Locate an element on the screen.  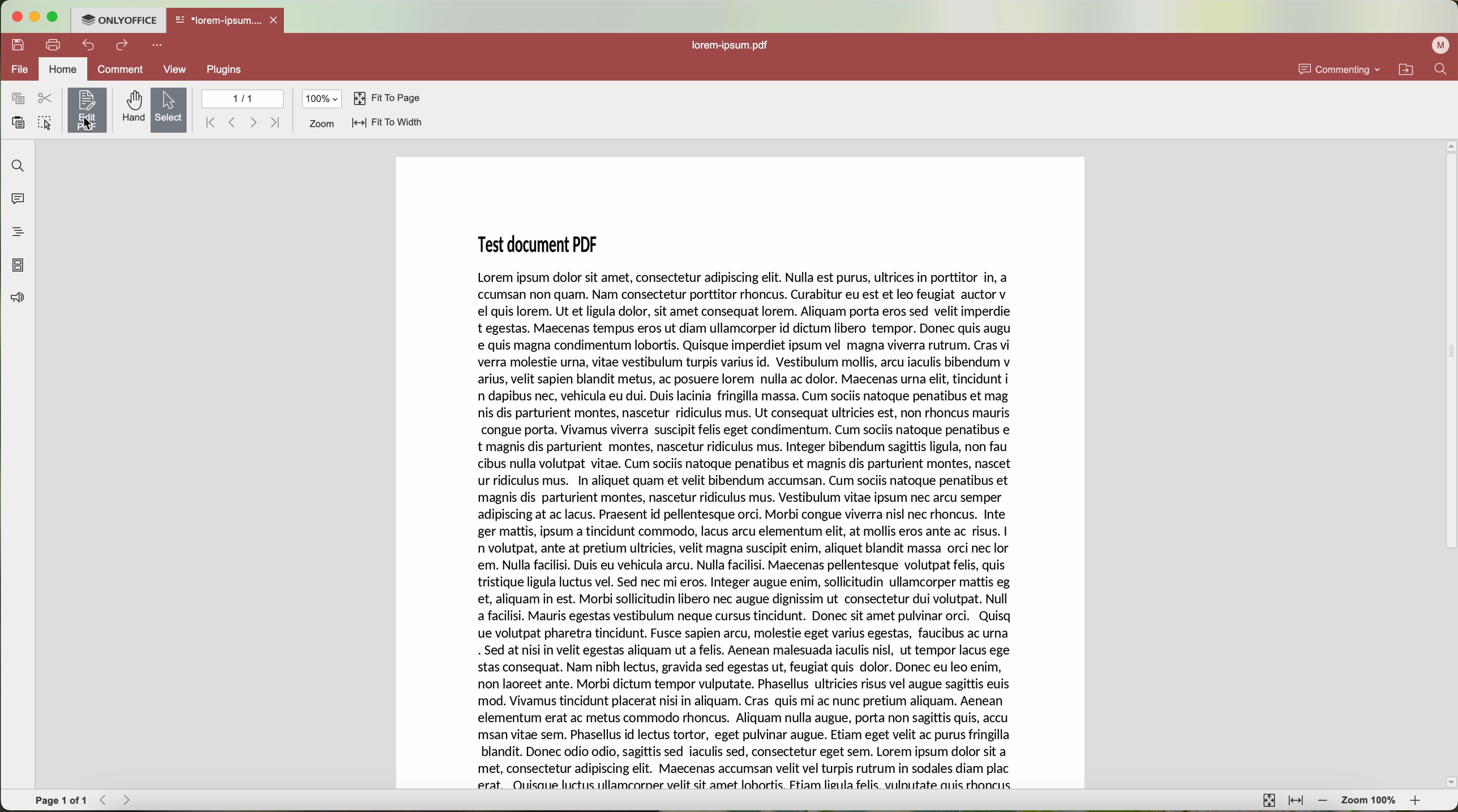
save is located at coordinates (18, 45).